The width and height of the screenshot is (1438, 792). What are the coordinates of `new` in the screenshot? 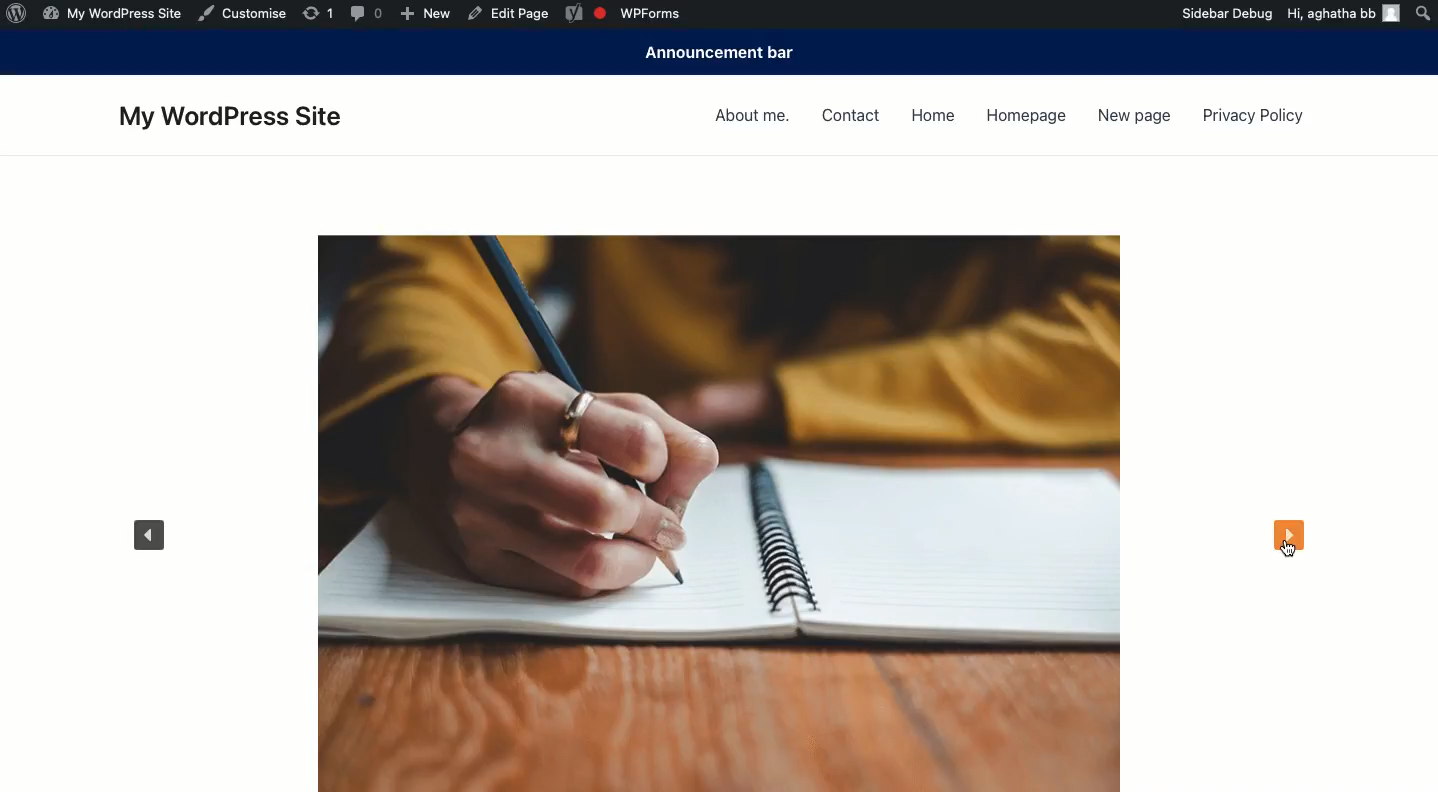 It's located at (427, 14).